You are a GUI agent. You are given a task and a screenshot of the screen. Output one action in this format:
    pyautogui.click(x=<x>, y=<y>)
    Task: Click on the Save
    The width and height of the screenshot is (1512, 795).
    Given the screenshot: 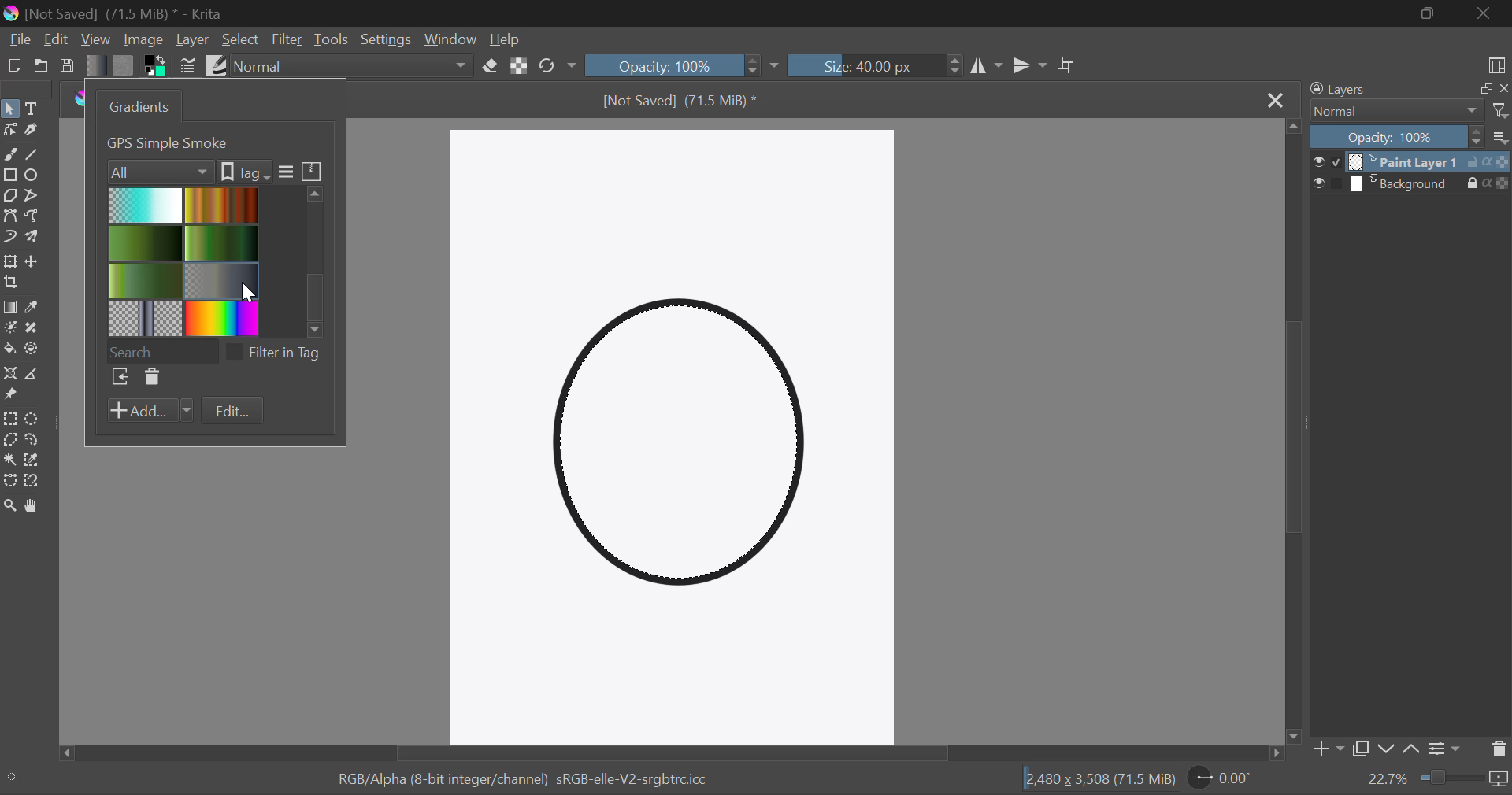 What is the action you would take?
    pyautogui.click(x=68, y=66)
    